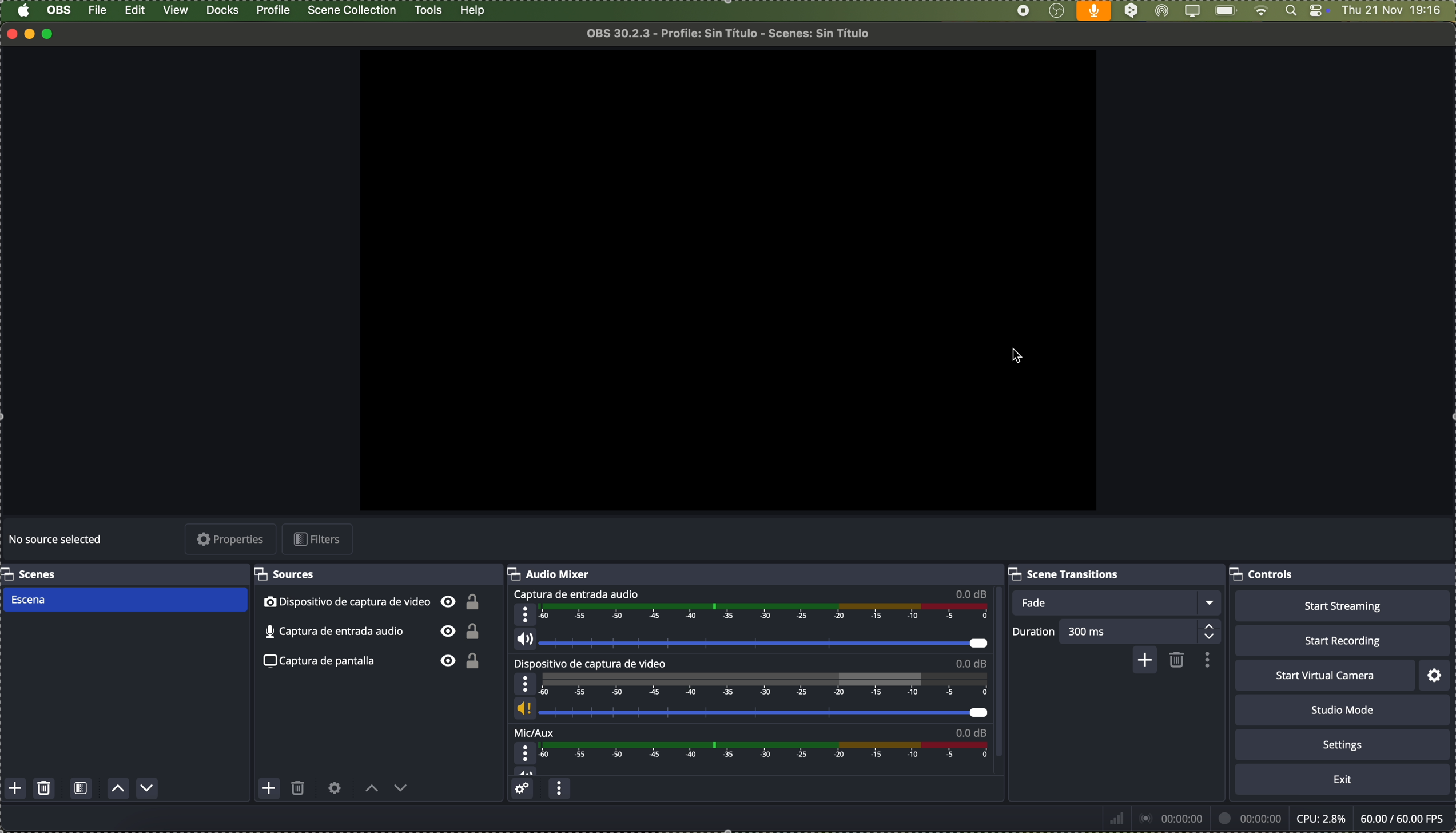 The width and height of the screenshot is (1456, 833). Describe the element at coordinates (725, 276) in the screenshot. I see `workspace` at that location.